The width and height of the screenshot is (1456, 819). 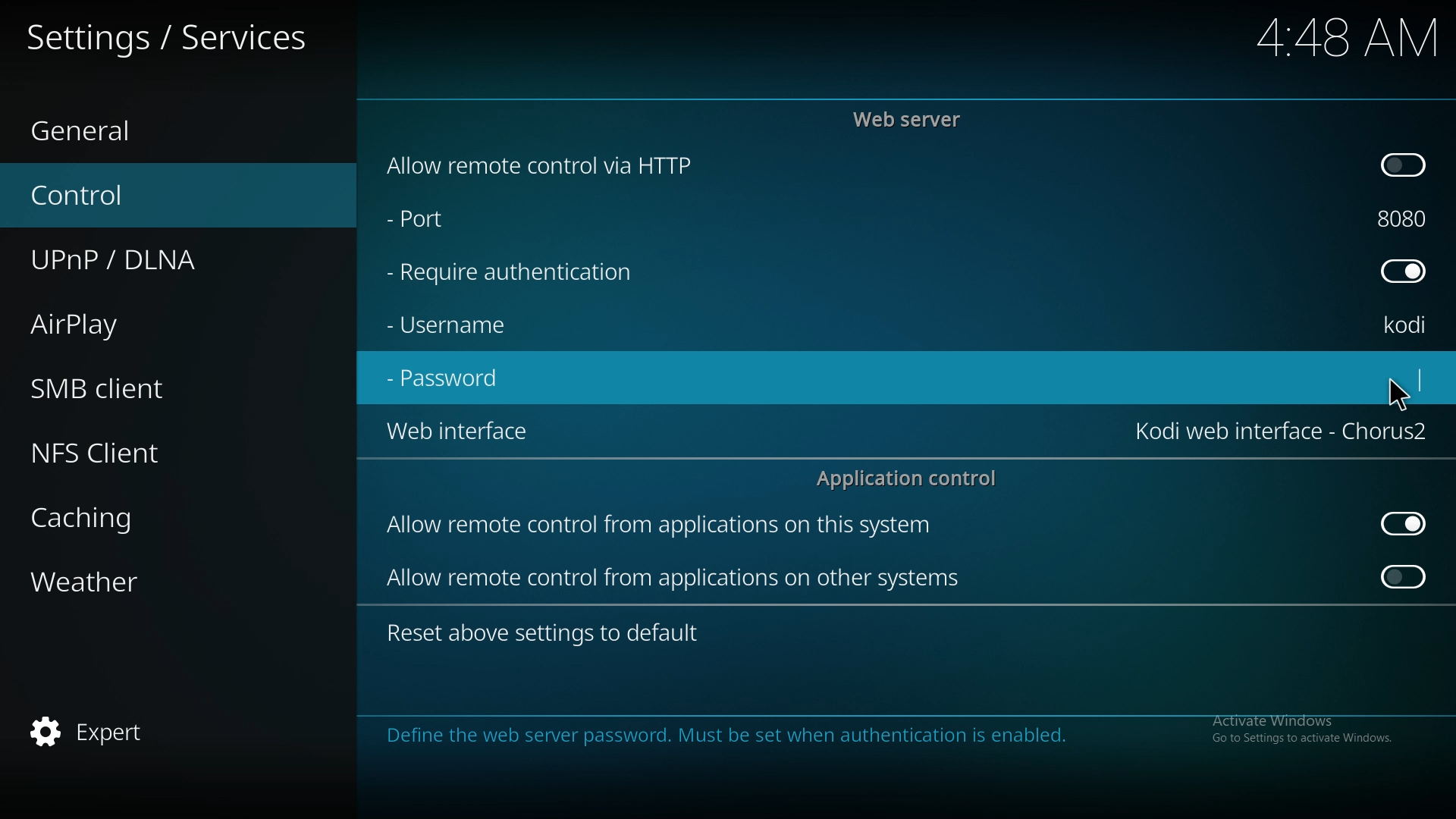 I want to click on password, so click(x=453, y=380).